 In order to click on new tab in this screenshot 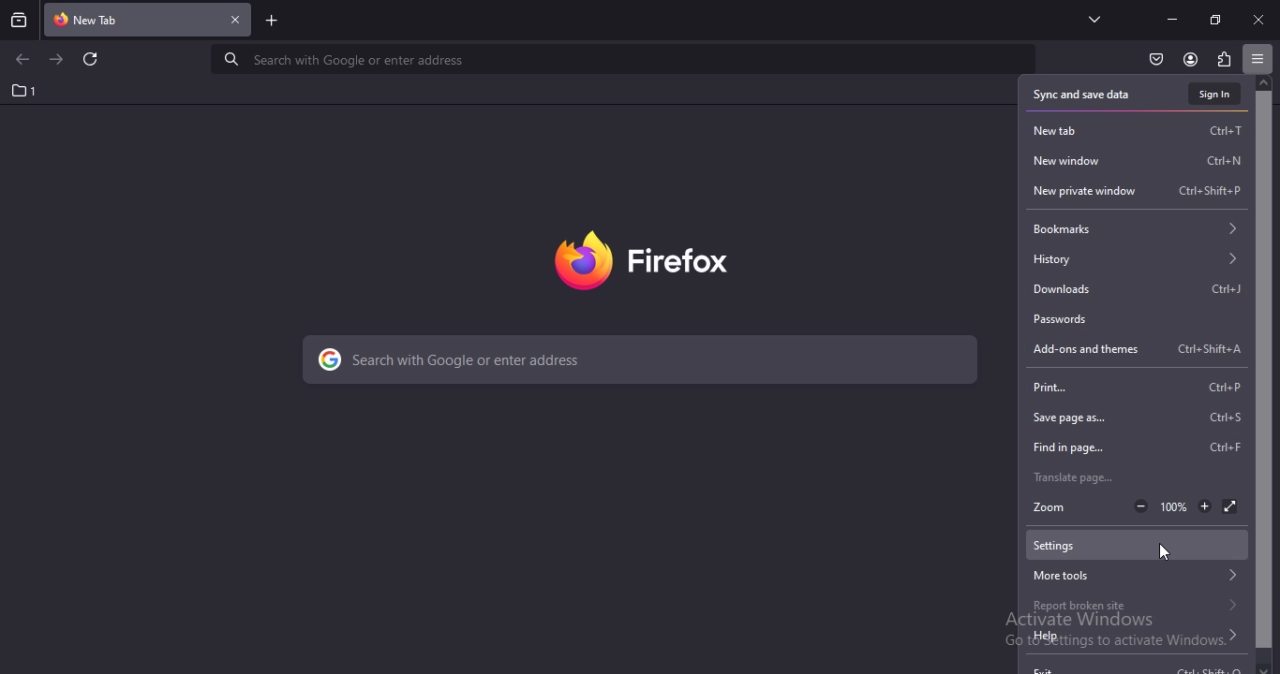, I will do `click(273, 22)`.